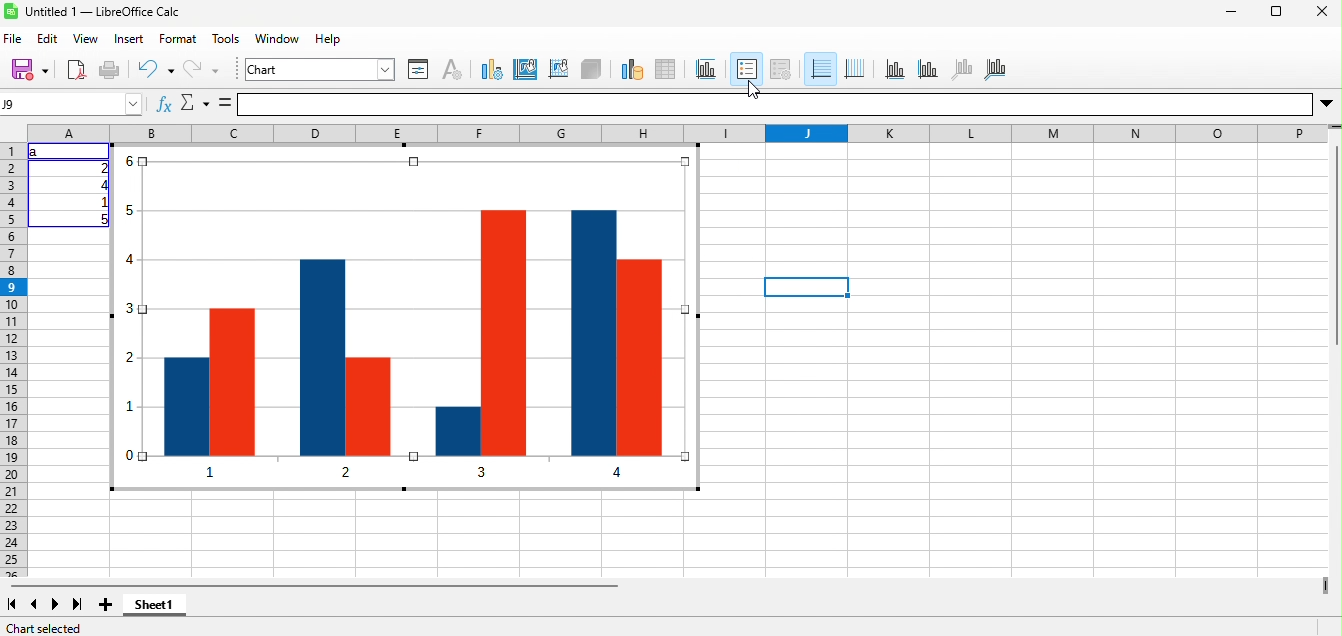  I want to click on column headings, so click(678, 133).